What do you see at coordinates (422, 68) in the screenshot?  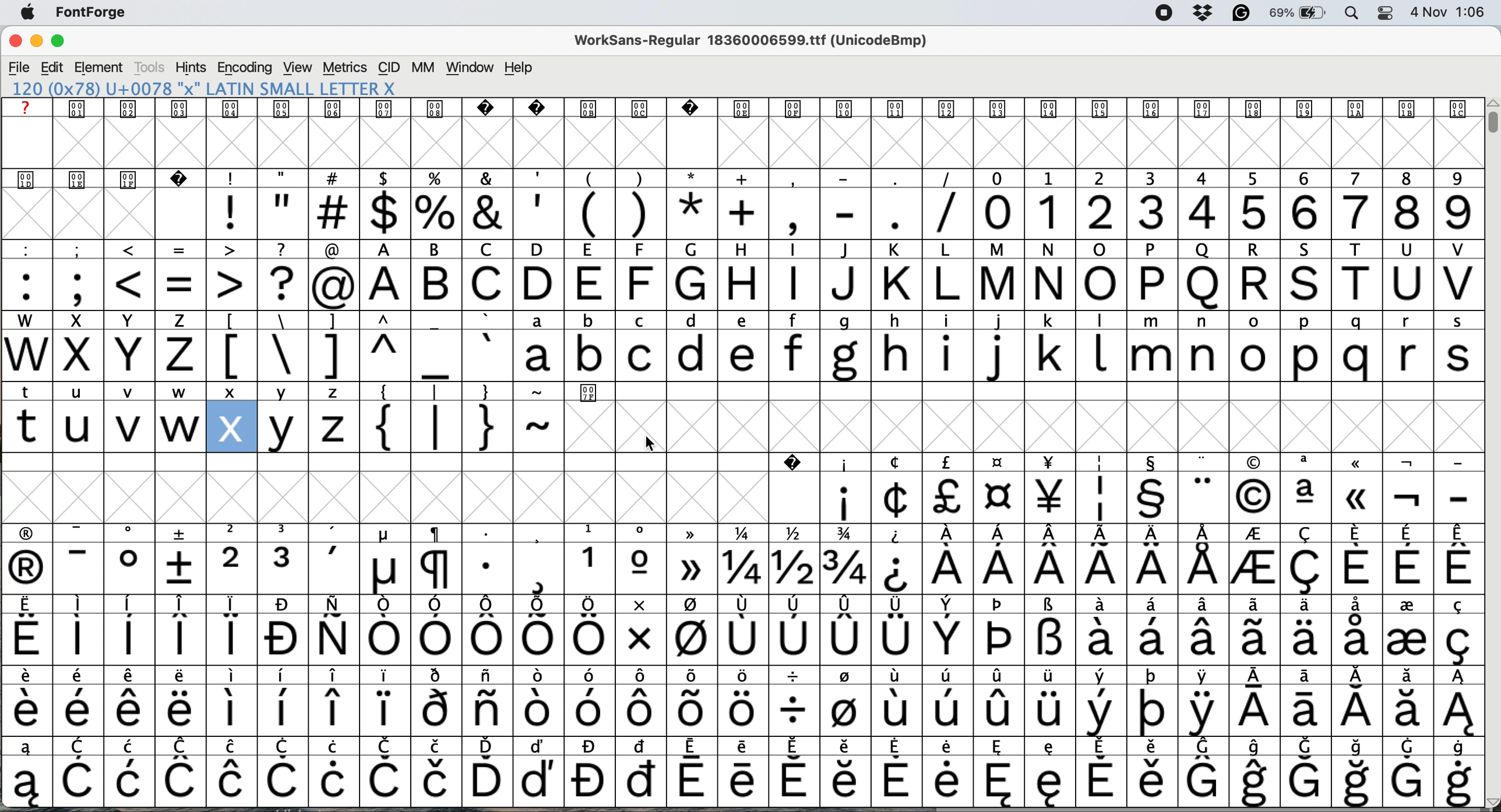 I see `mm` at bounding box center [422, 68].